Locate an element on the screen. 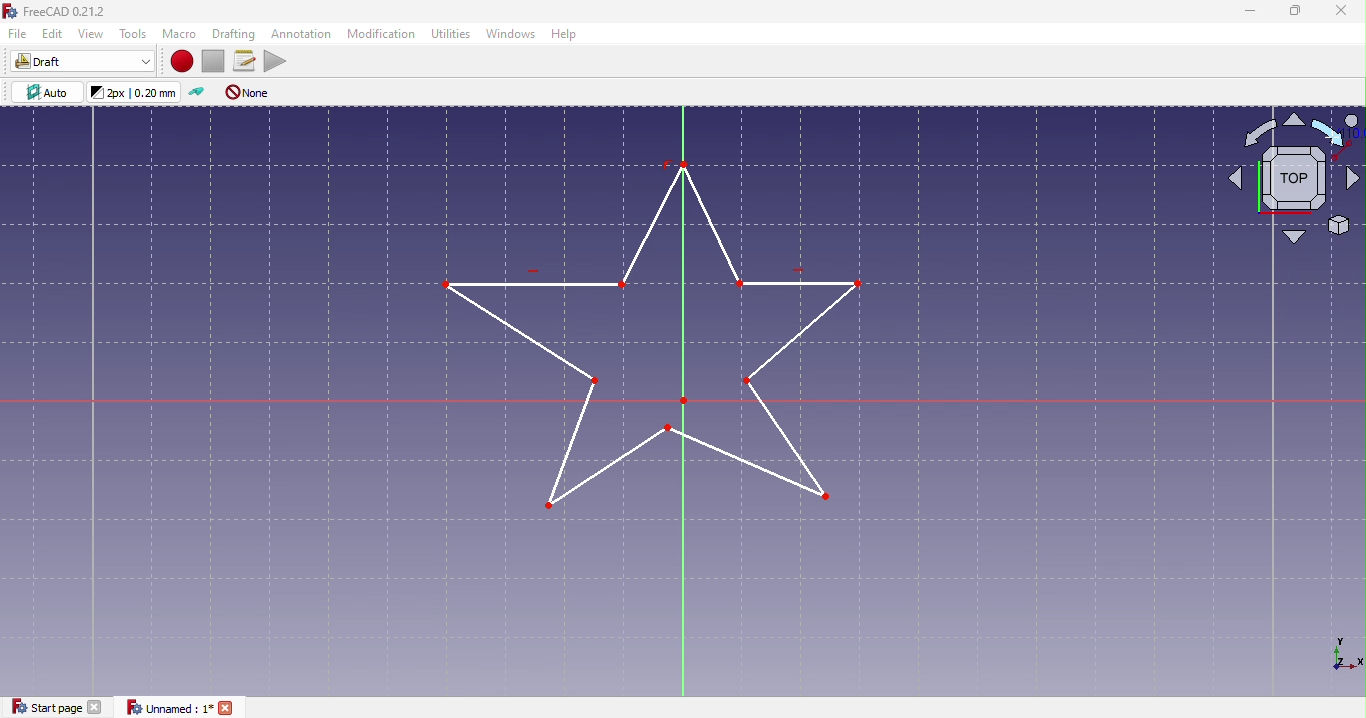  Start page is located at coordinates (59, 705).